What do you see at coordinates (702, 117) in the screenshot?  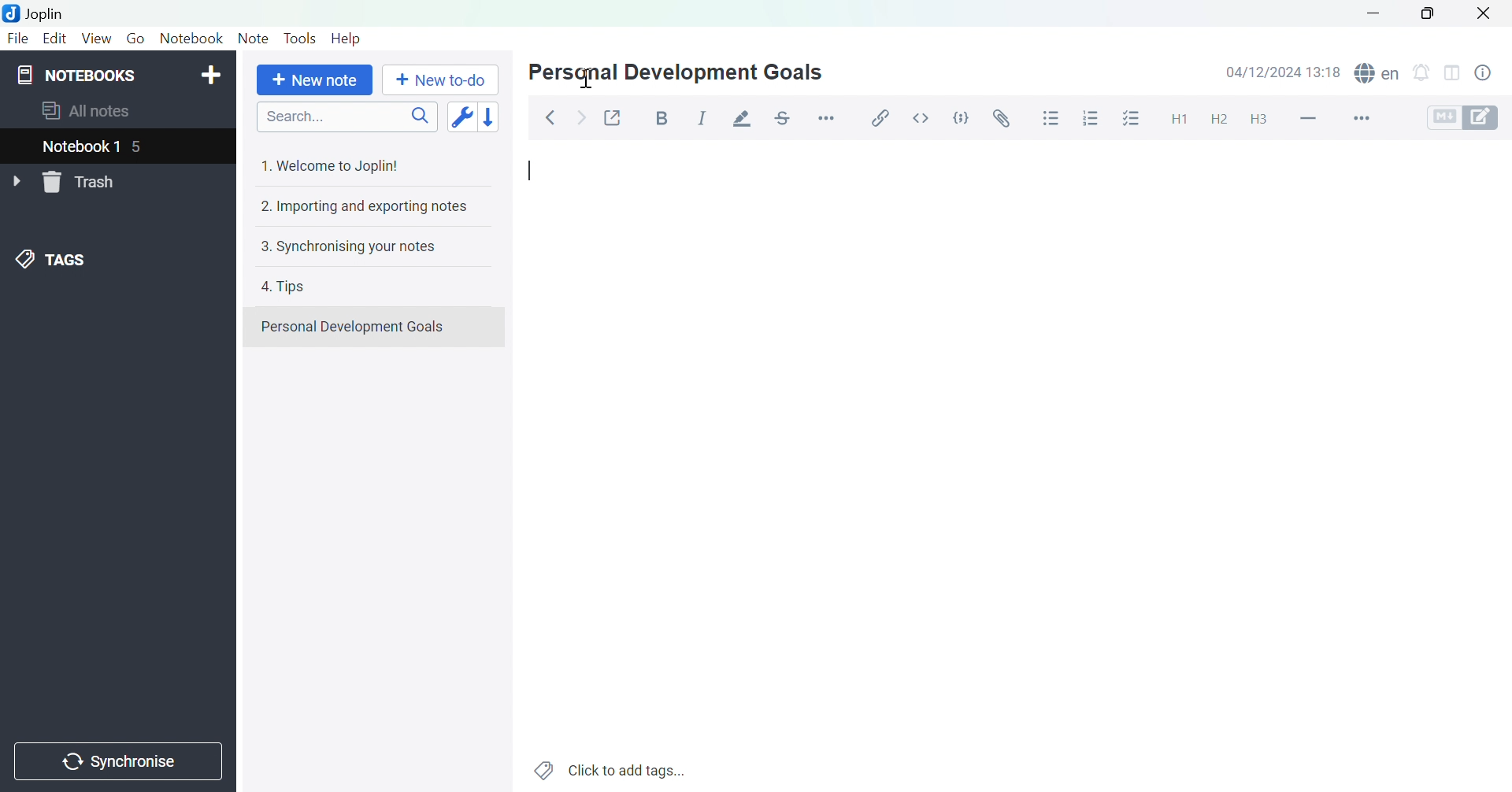 I see `Italic` at bounding box center [702, 117].